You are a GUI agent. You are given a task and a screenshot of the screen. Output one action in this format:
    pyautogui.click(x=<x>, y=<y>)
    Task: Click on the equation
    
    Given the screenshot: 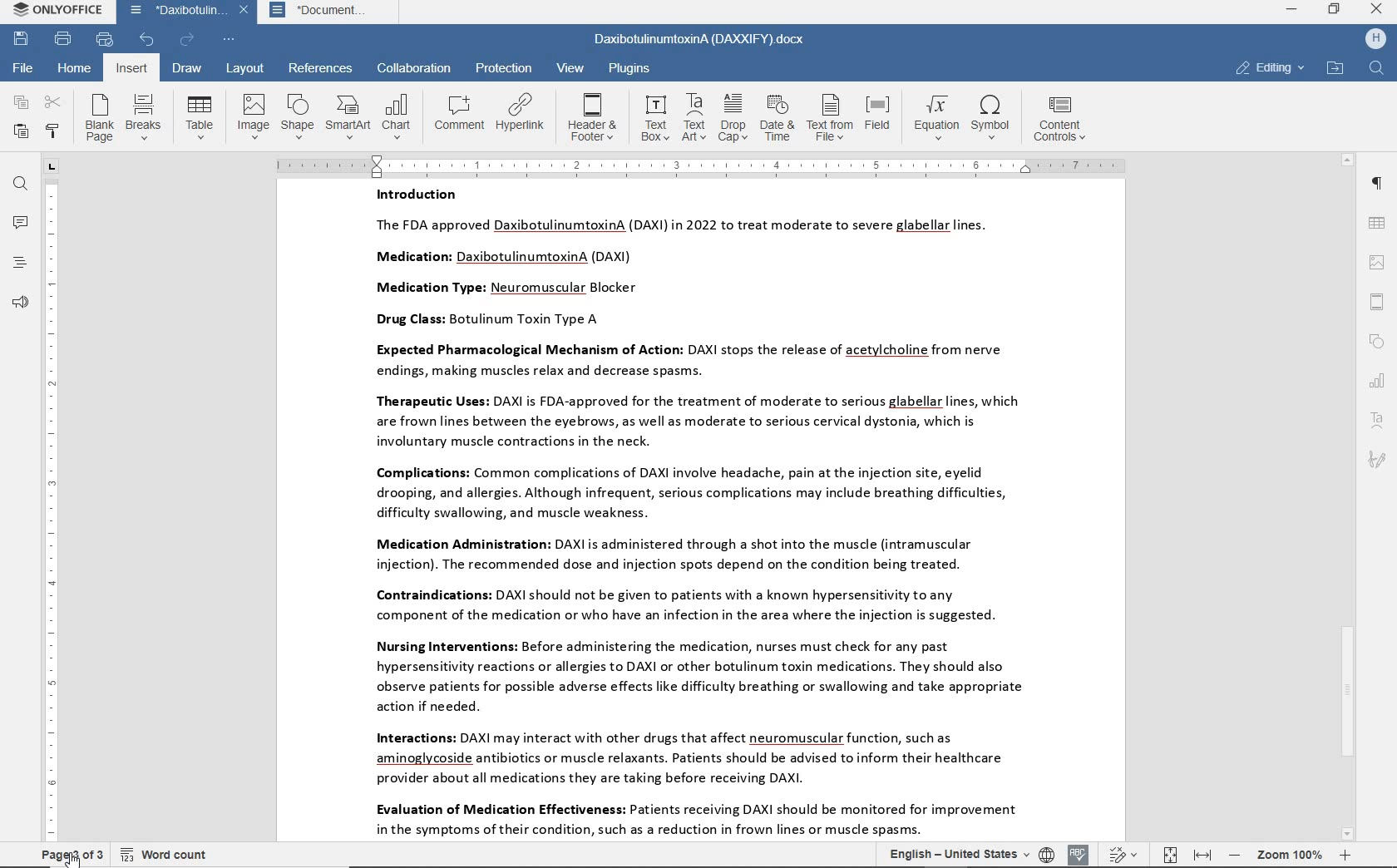 What is the action you would take?
    pyautogui.click(x=934, y=117)
    